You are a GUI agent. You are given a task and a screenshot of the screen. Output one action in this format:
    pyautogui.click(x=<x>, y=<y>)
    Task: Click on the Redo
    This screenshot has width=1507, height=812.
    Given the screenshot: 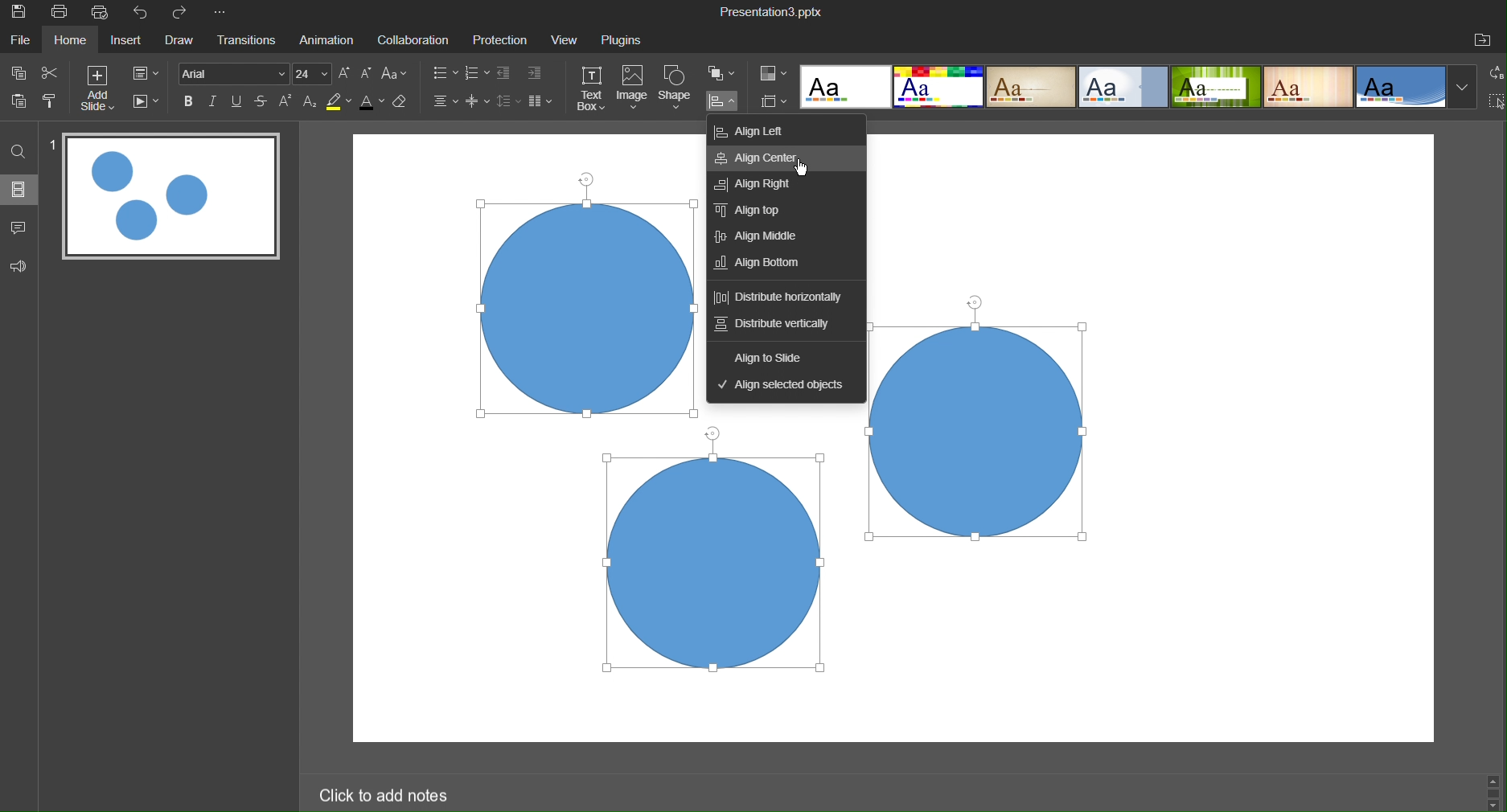 What is the action you would take?
    pyautogui.click(x=187, y=14)
    